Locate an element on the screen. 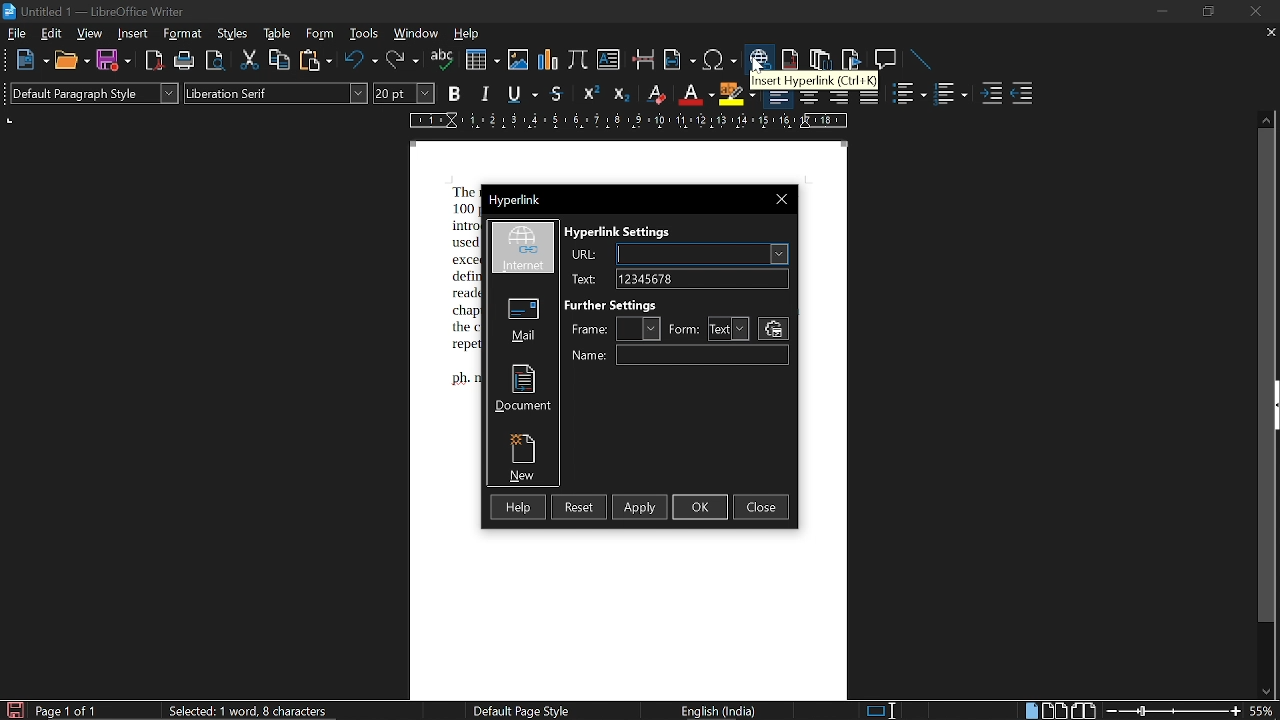  close is located at coordinates (761, 507).